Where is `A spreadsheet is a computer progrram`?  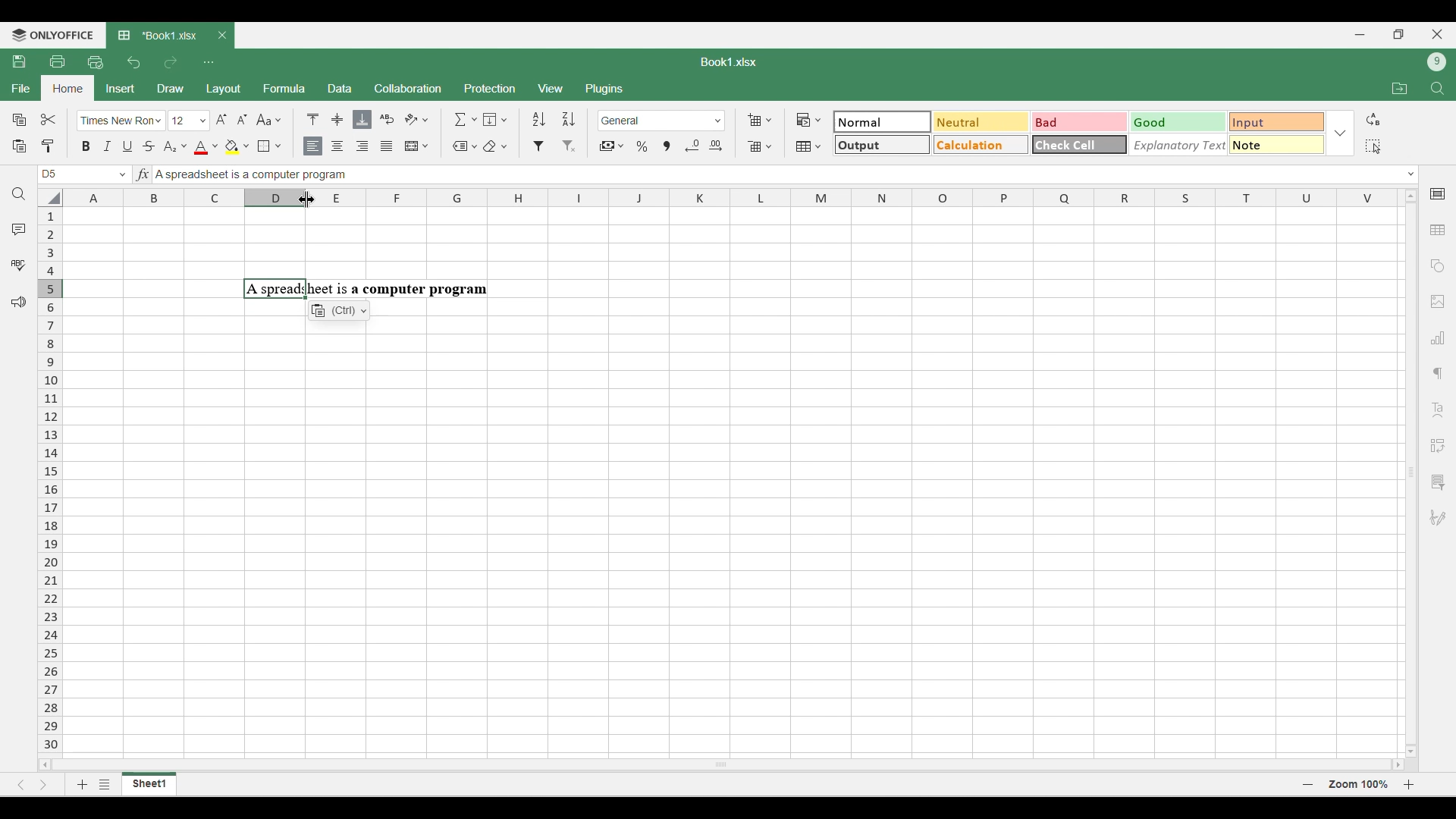
A spreadsheet is a computer progrram is located at coordinates (366, 289).